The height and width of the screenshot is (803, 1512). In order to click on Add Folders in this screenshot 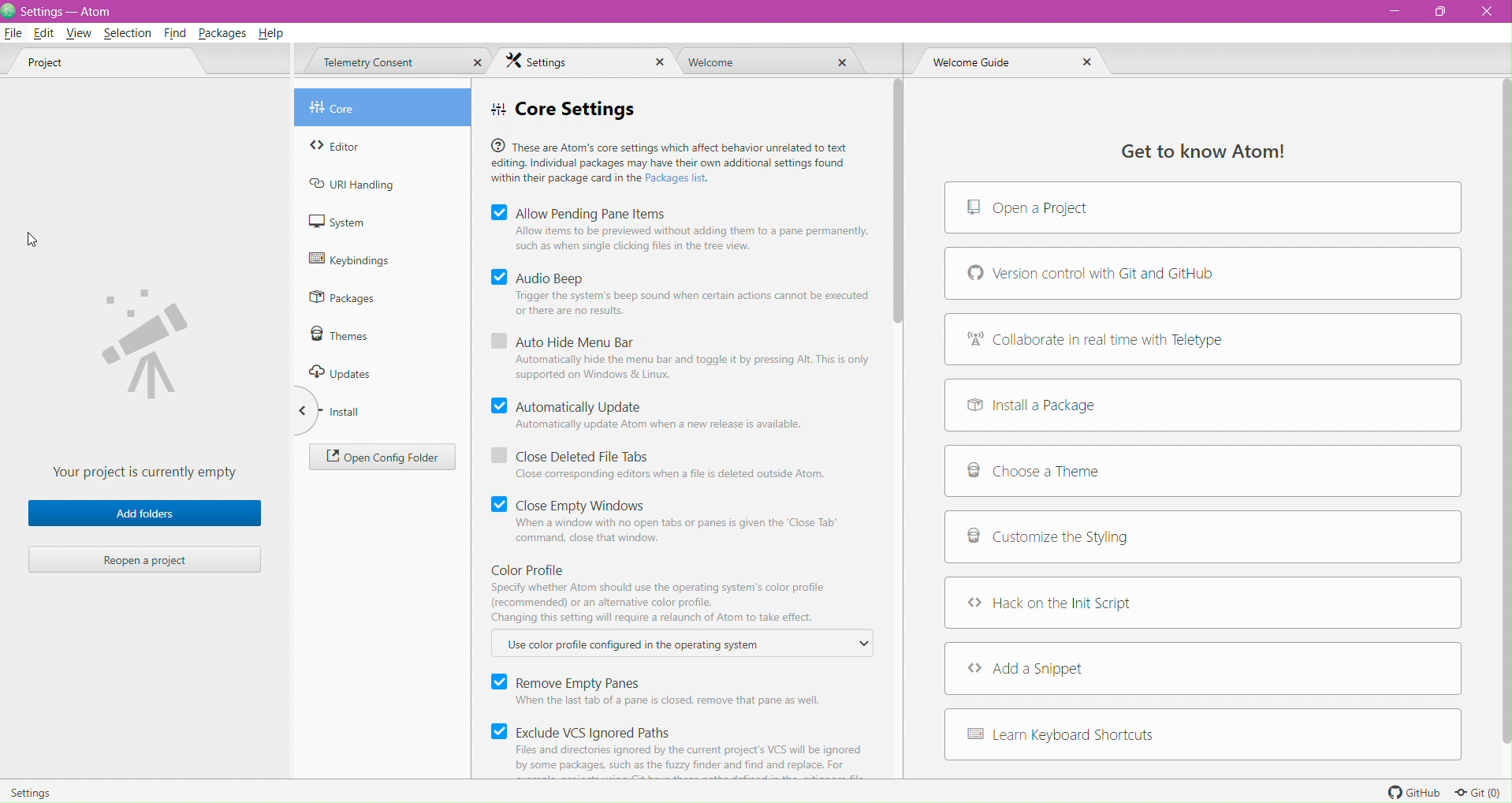, I will do `click(144, 514)`.